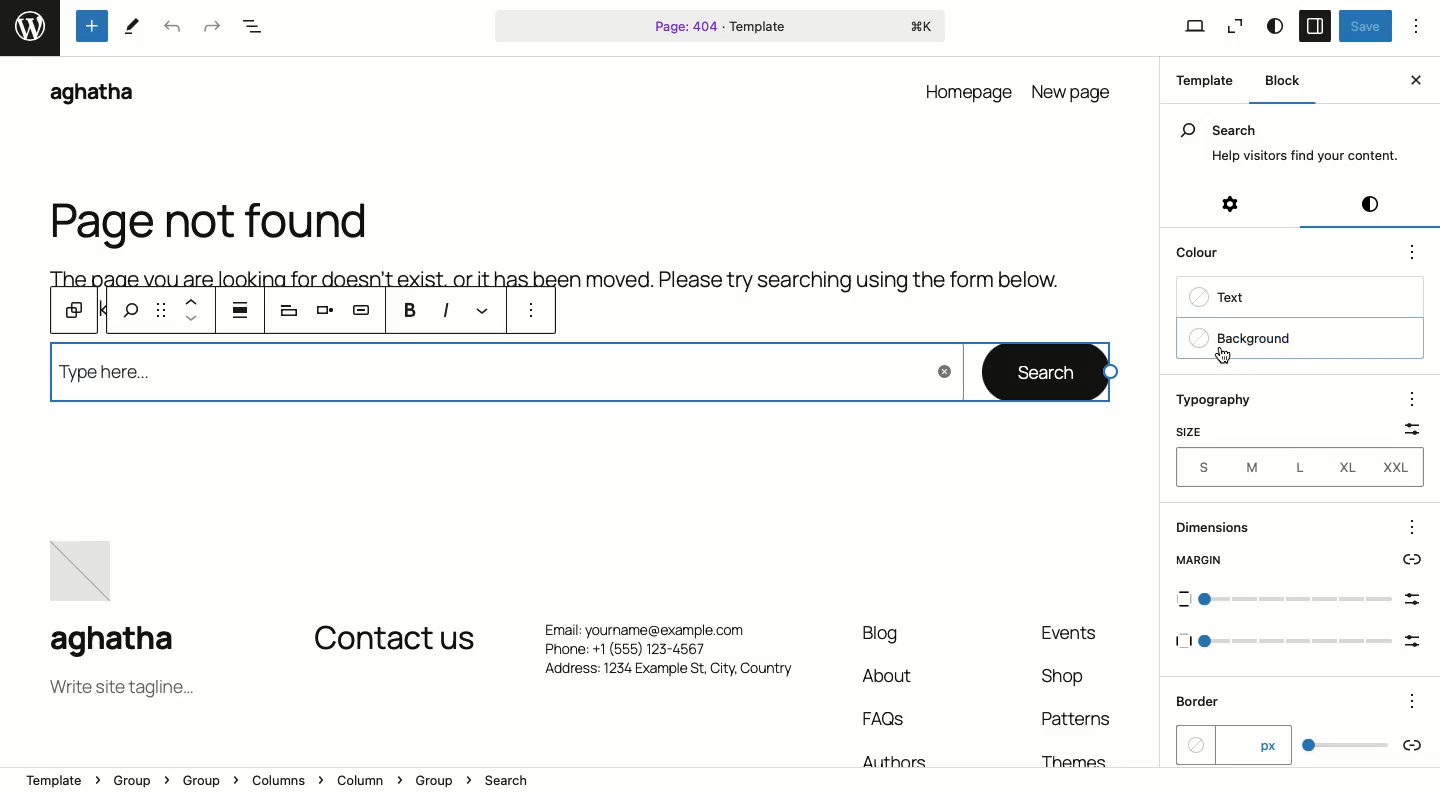 The image size is (1440, 792). I want to click on Themes, so click(1080, 758).